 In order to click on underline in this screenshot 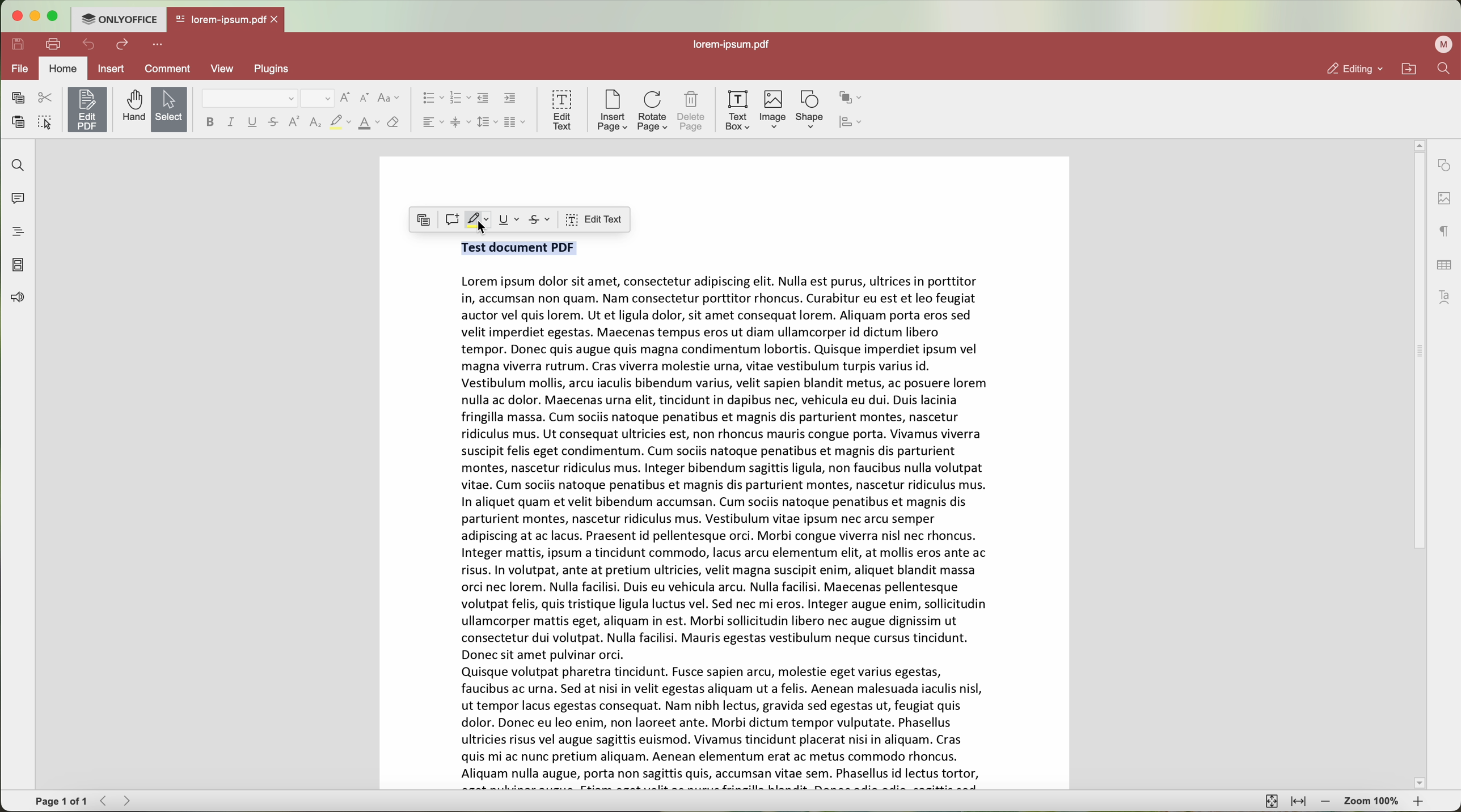, I will do `click(253, 124)`.